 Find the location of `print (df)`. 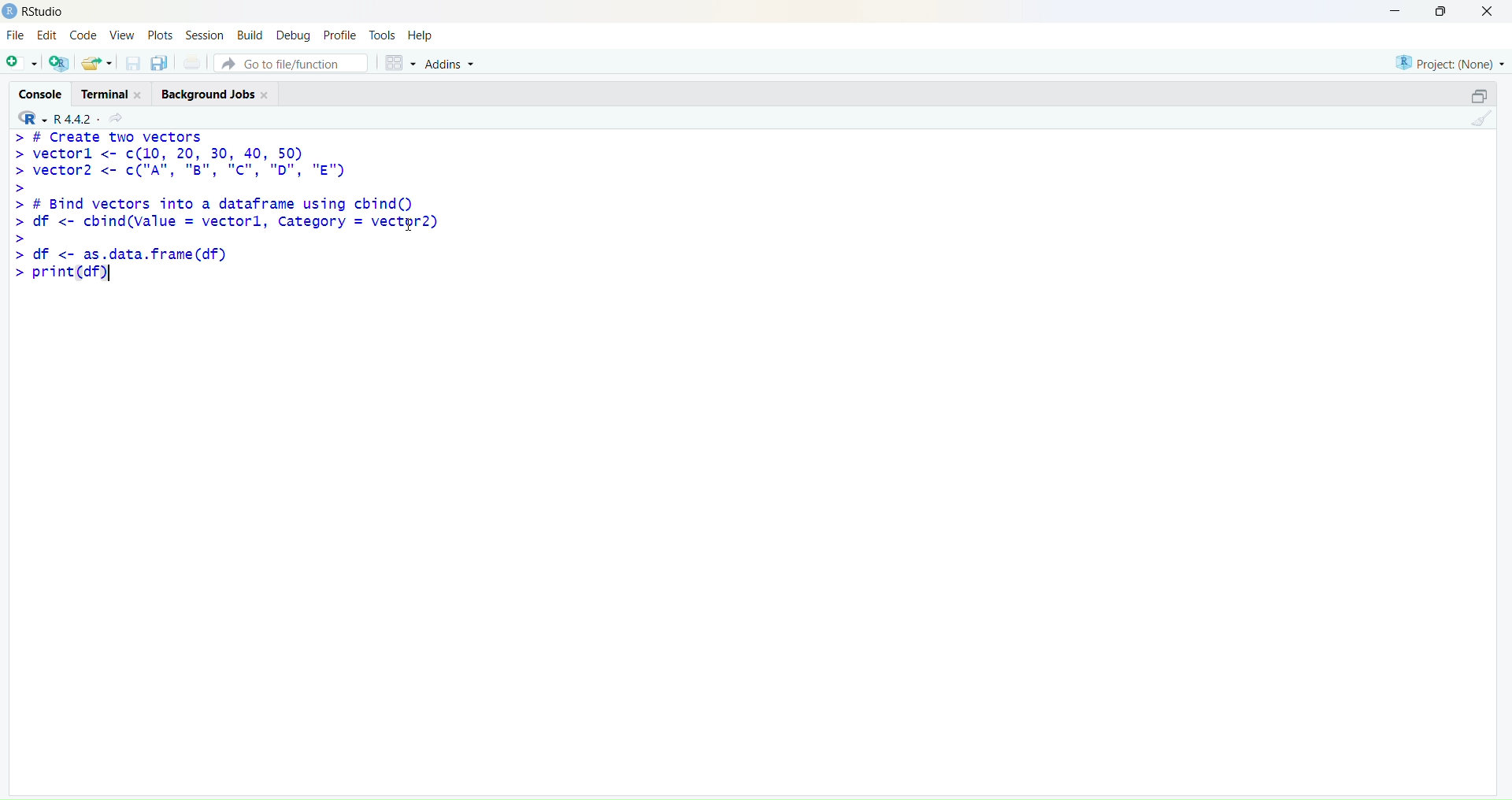

print (df) is located at coordinates (58, 272).